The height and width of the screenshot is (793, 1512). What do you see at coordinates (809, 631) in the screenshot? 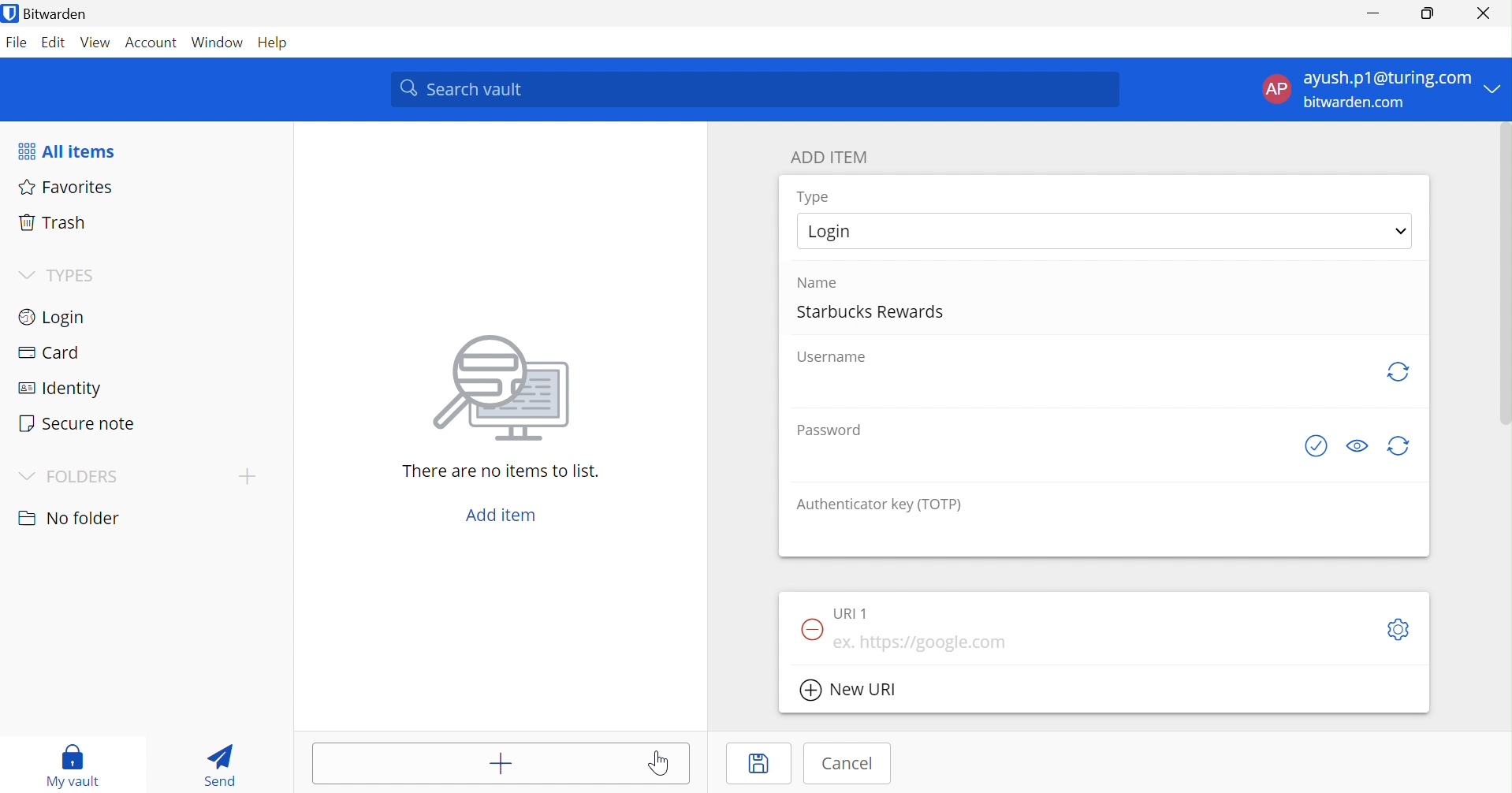
I see `Remove` at bounding box center [809, 631].